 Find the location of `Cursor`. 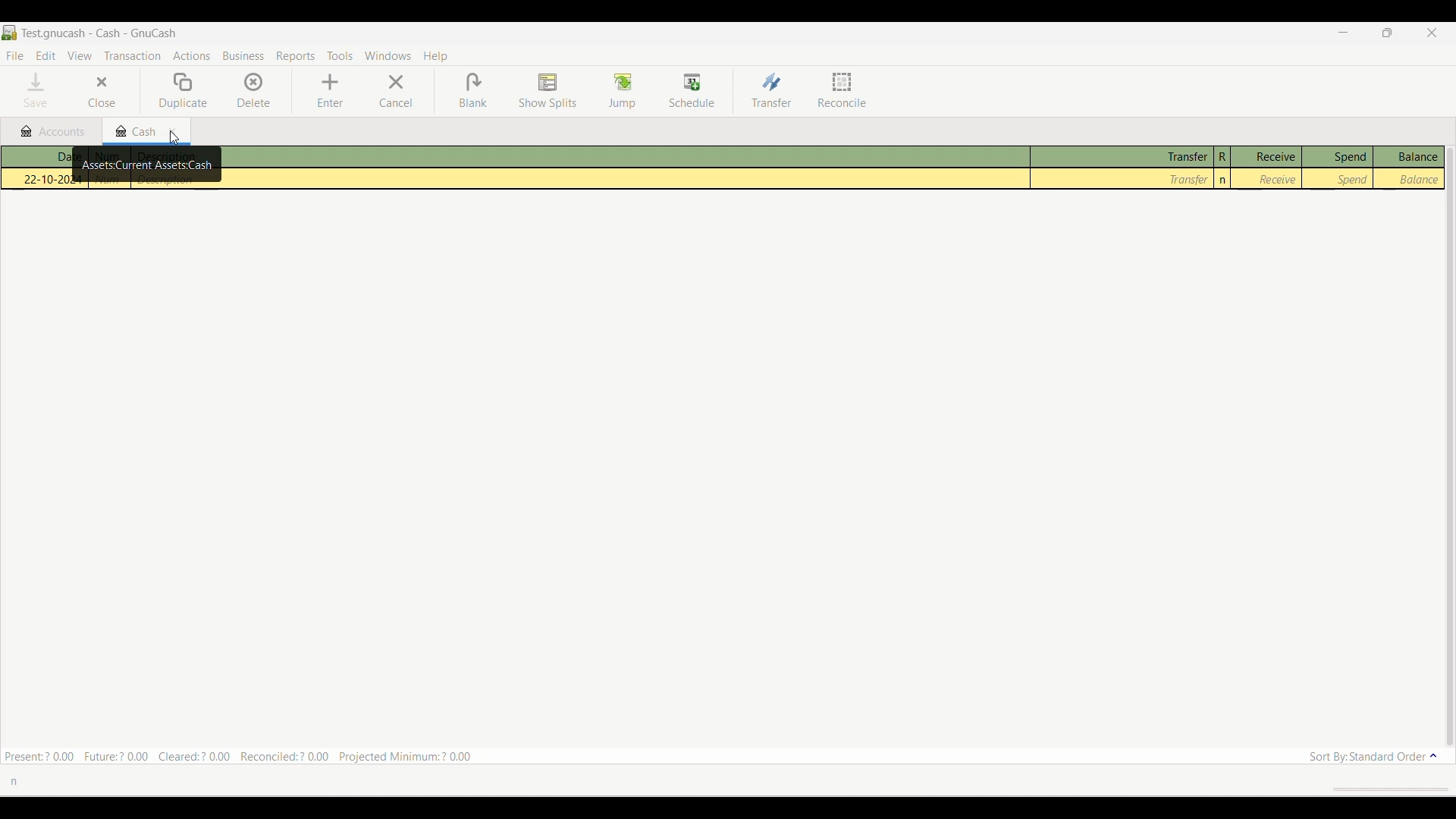

Cursor is located at coordinates (180, 138).